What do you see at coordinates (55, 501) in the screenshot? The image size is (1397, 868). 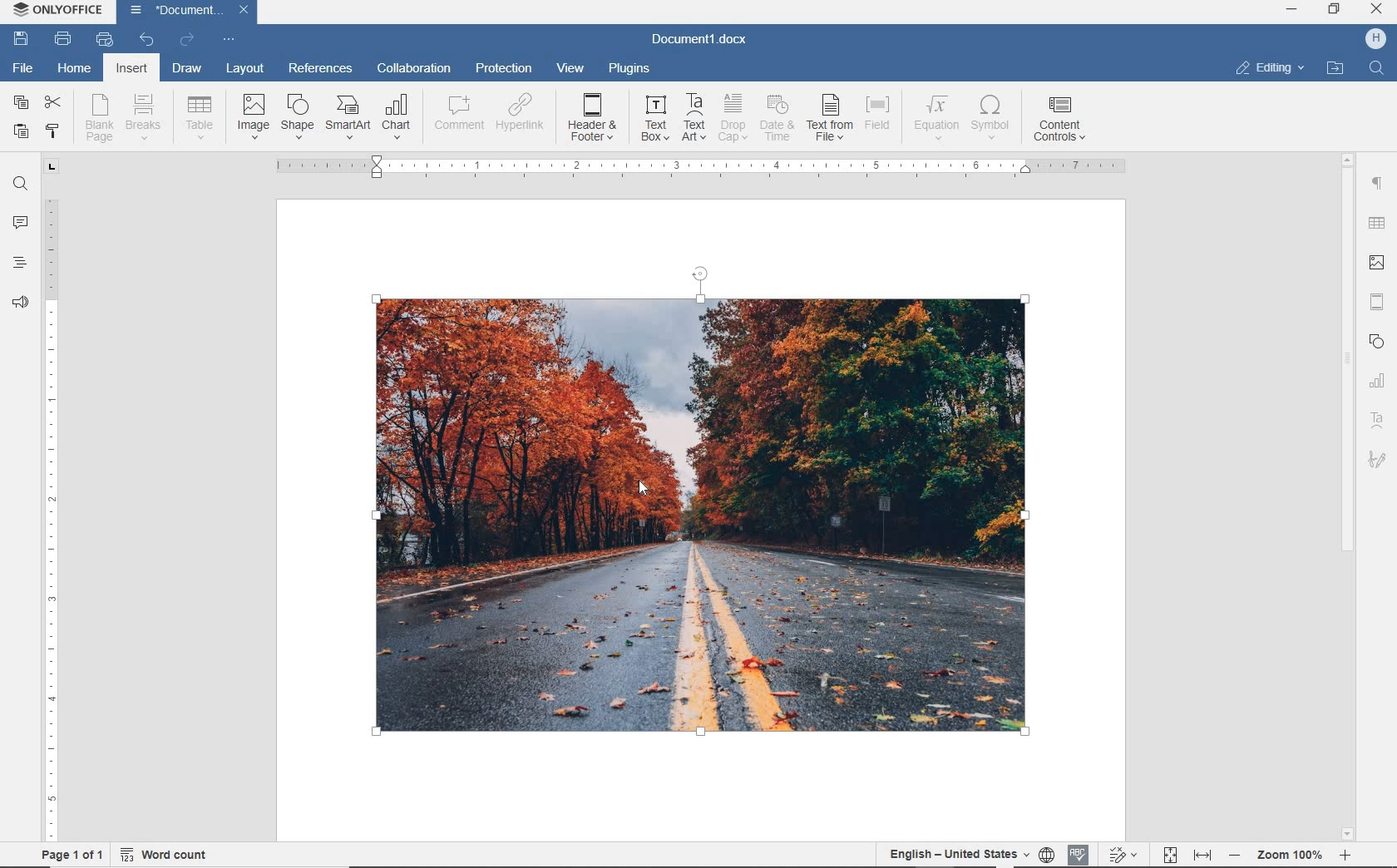 I see `ruler` at bounding box center [55, 501].